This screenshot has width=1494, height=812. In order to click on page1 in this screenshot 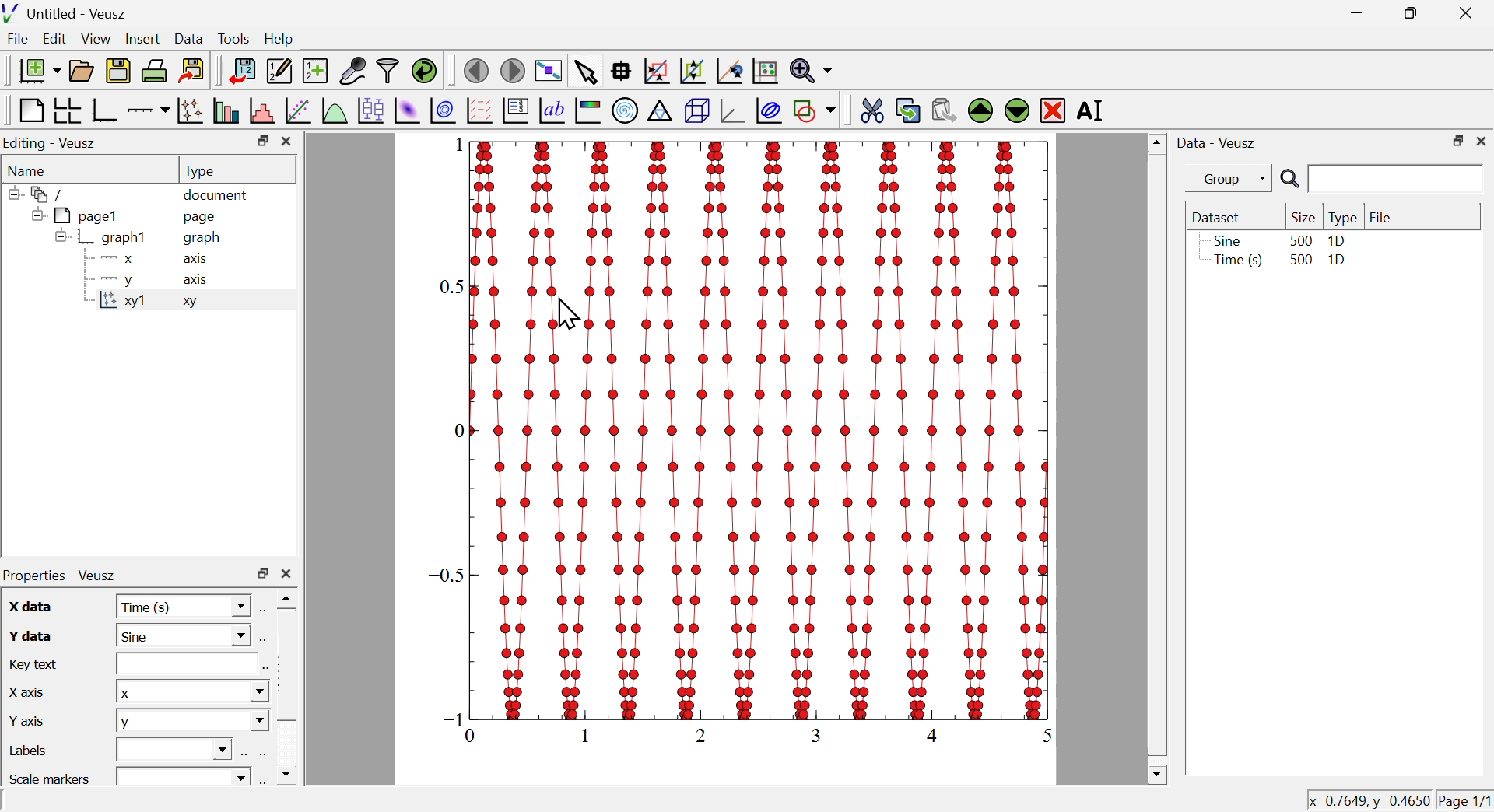, I will do `click(77, 215)`.